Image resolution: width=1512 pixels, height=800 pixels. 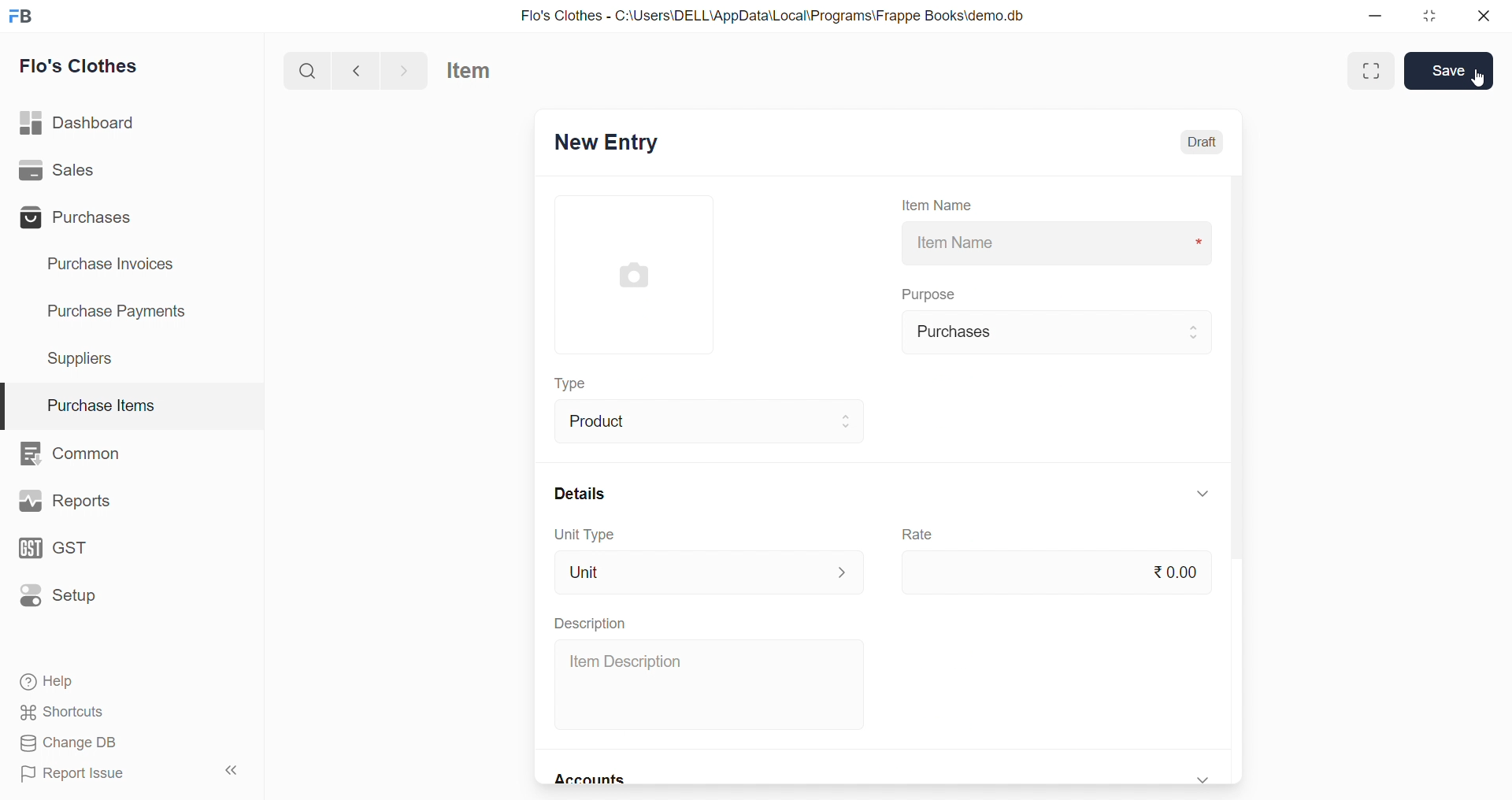 I want to click on Save, so click(x=1449, y=71).